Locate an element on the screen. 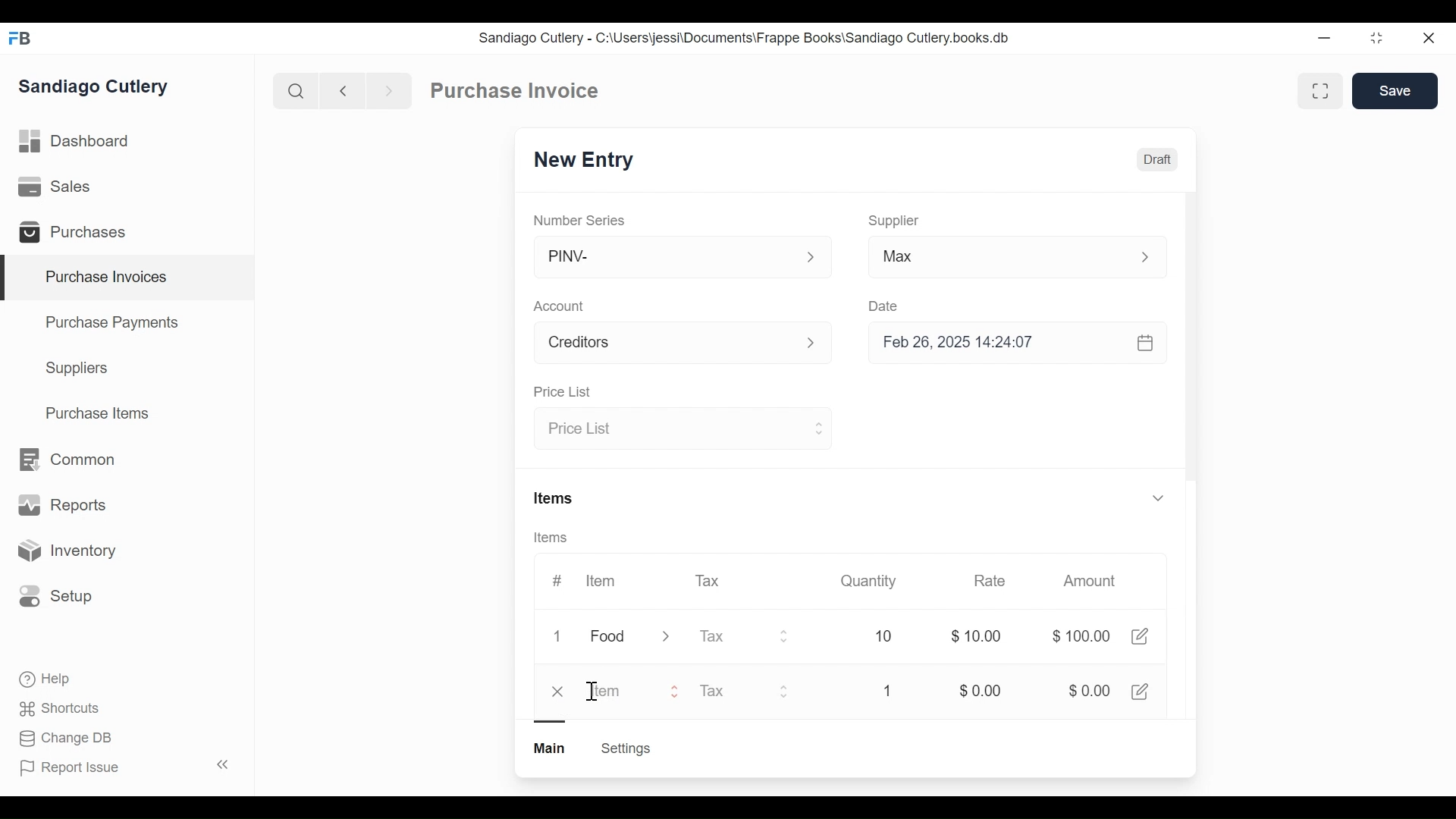 The height and width of the screenshot is (819, 1456). Dashboard is located at coordinates (76, 142).